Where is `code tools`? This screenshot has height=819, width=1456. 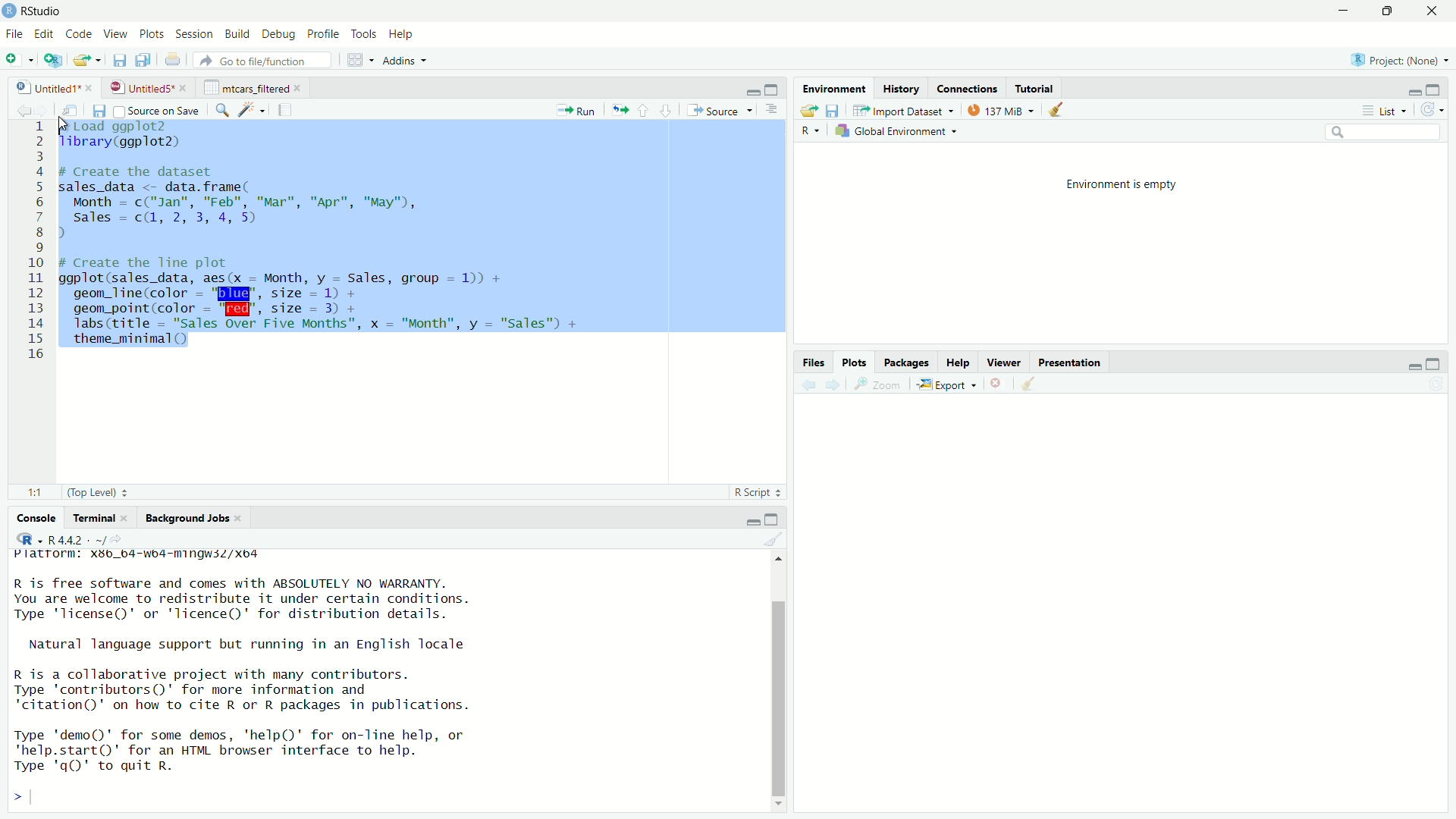
code tools is located at coordinates (253, 109).